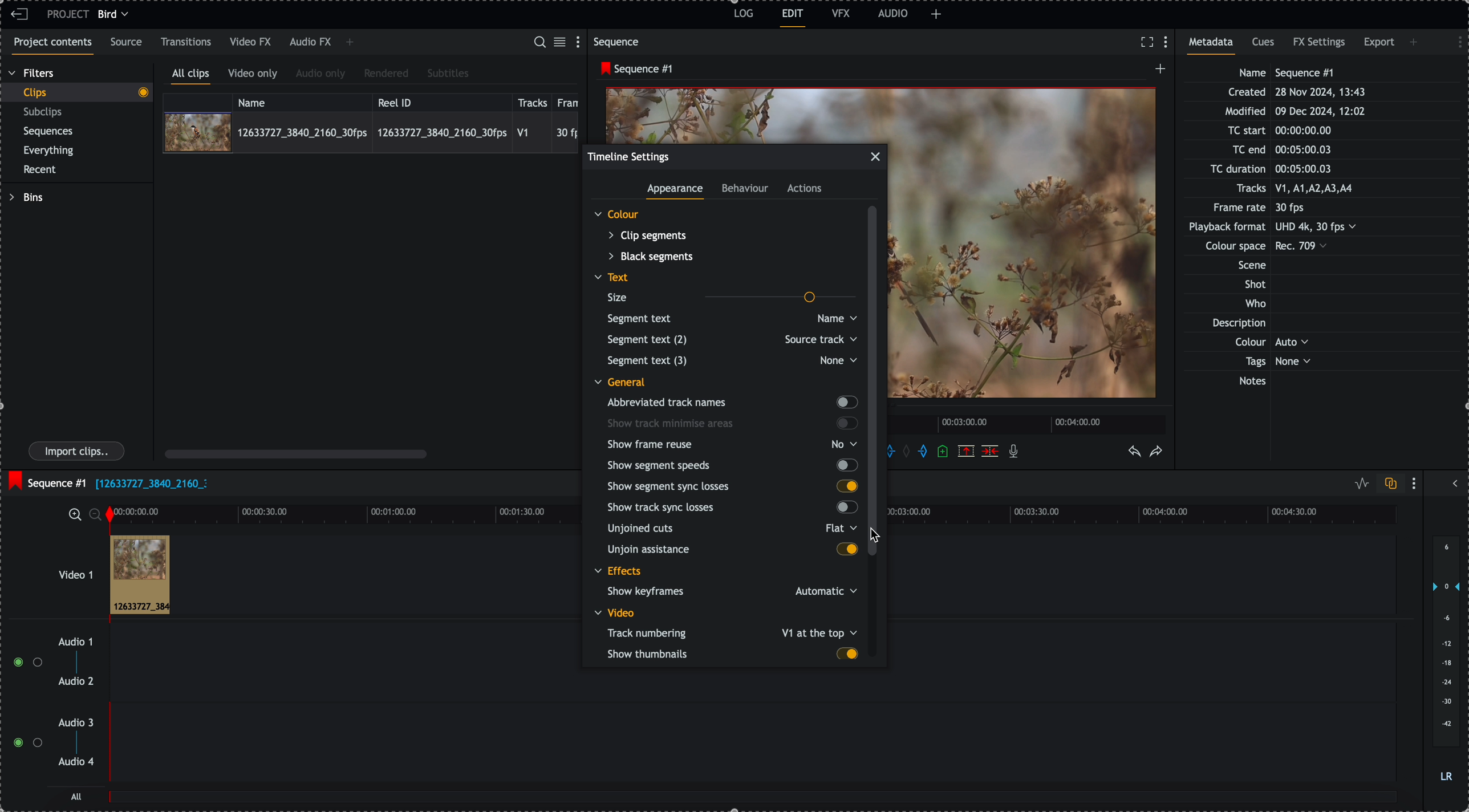  I want to click on project bird, so click(91, 14).